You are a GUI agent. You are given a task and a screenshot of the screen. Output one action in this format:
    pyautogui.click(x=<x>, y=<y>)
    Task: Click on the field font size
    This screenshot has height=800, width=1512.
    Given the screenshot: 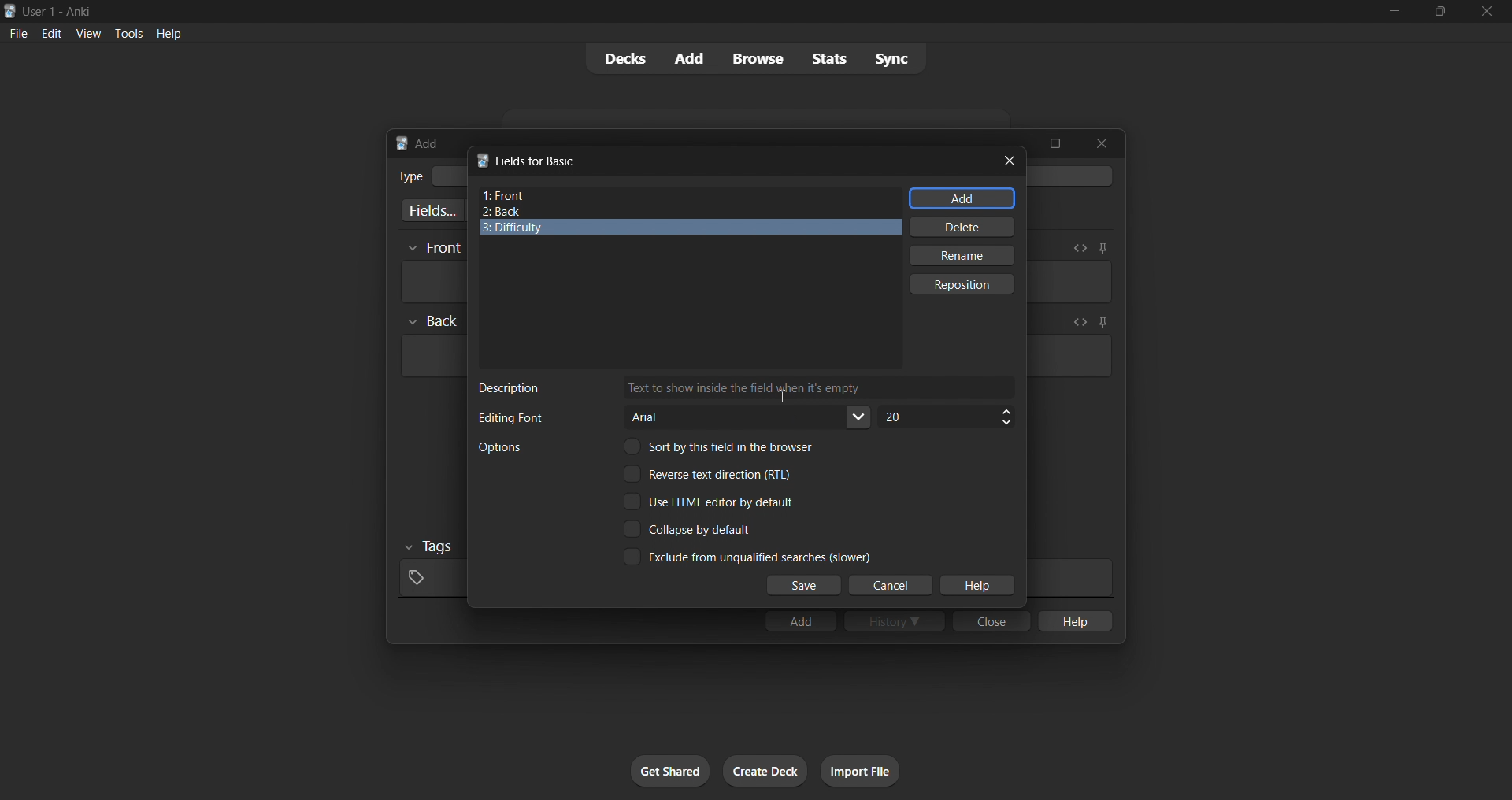 What is the action you would take?
    pyautogui.click(x=946, y=417)
    